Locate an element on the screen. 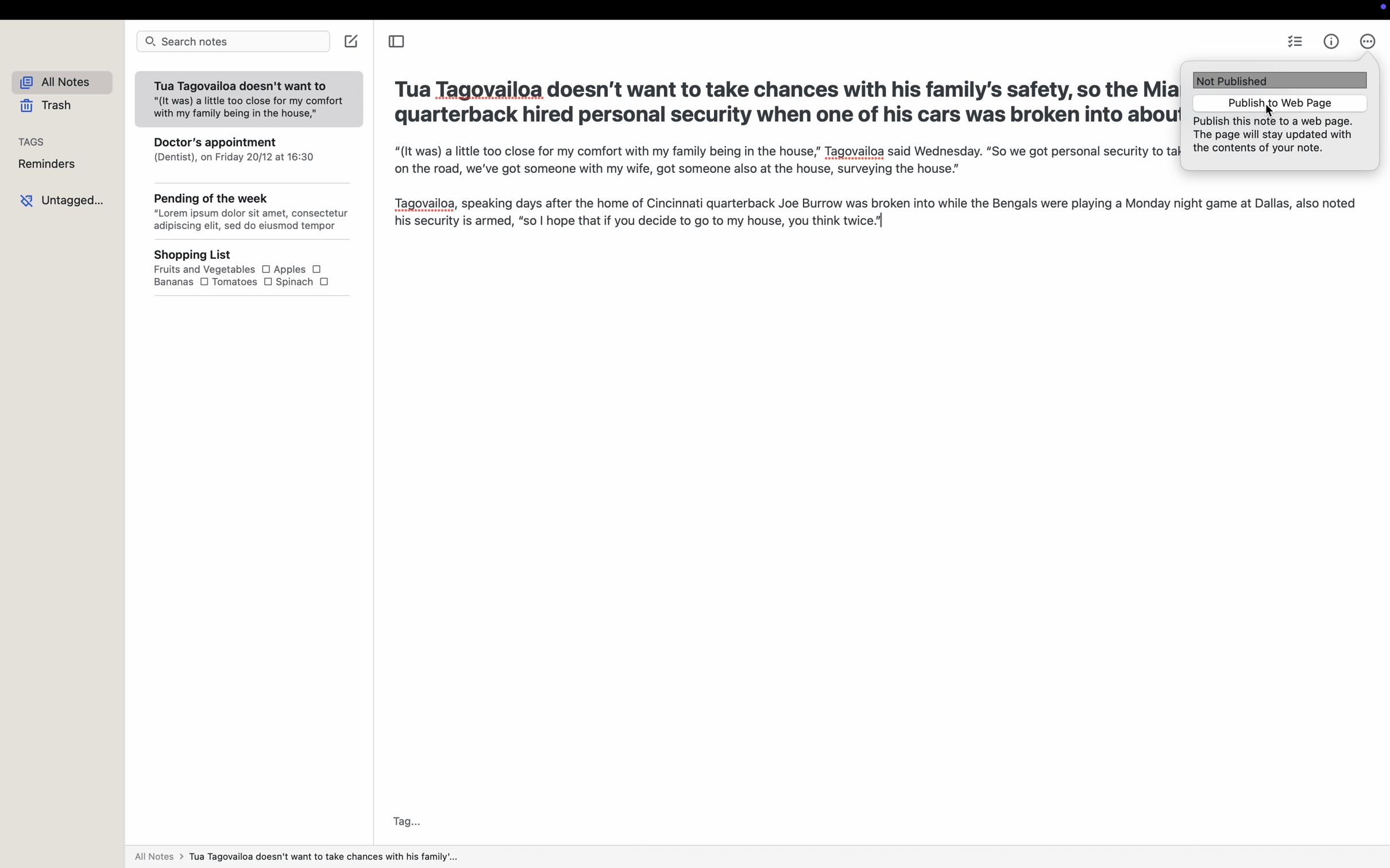  click to publish to web page is located at coordinates (1277, 103).